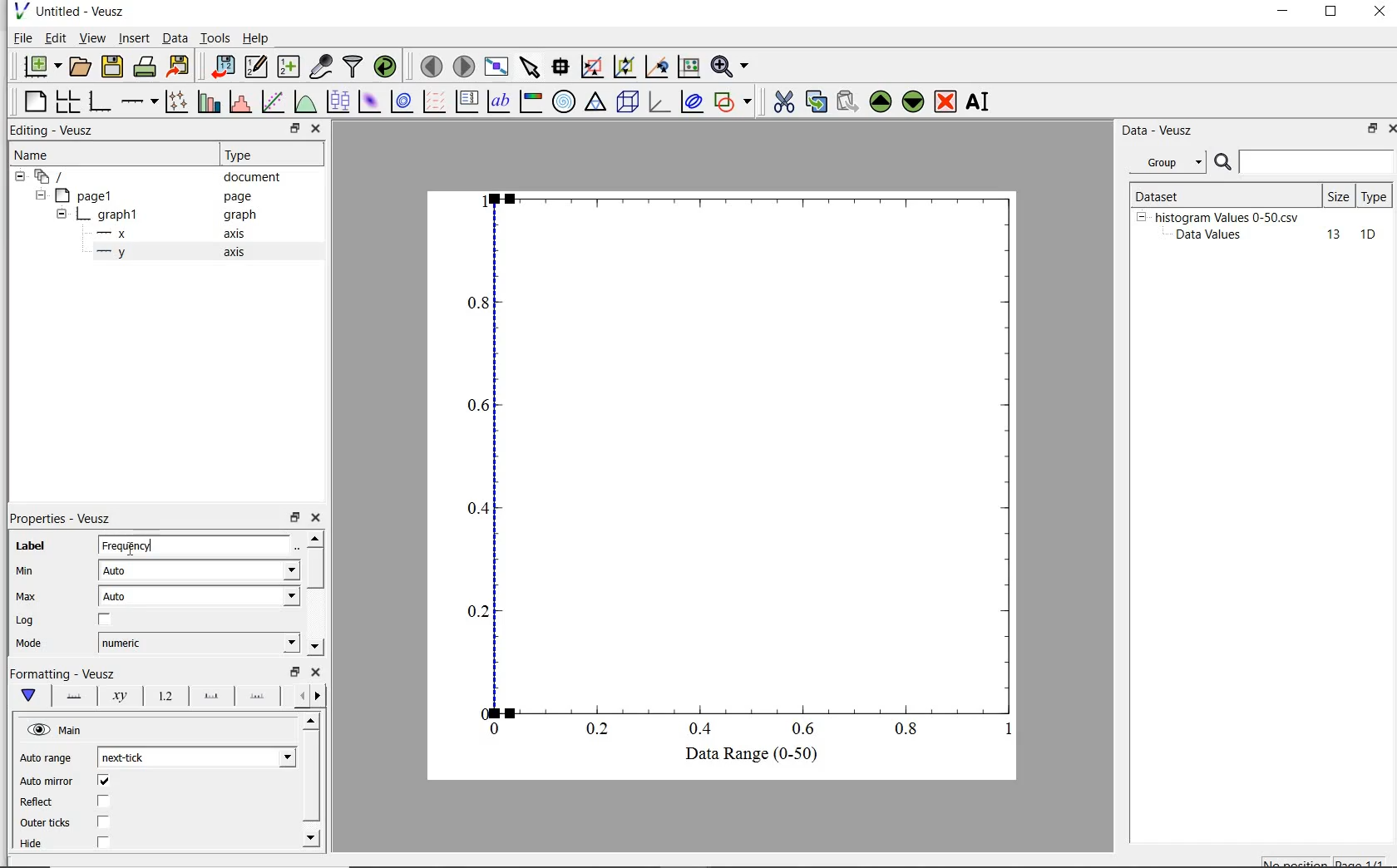  What do you see at coordinates (628, 103) in the screenshot?
I see `3d scene` at bounding box center [628, 103].